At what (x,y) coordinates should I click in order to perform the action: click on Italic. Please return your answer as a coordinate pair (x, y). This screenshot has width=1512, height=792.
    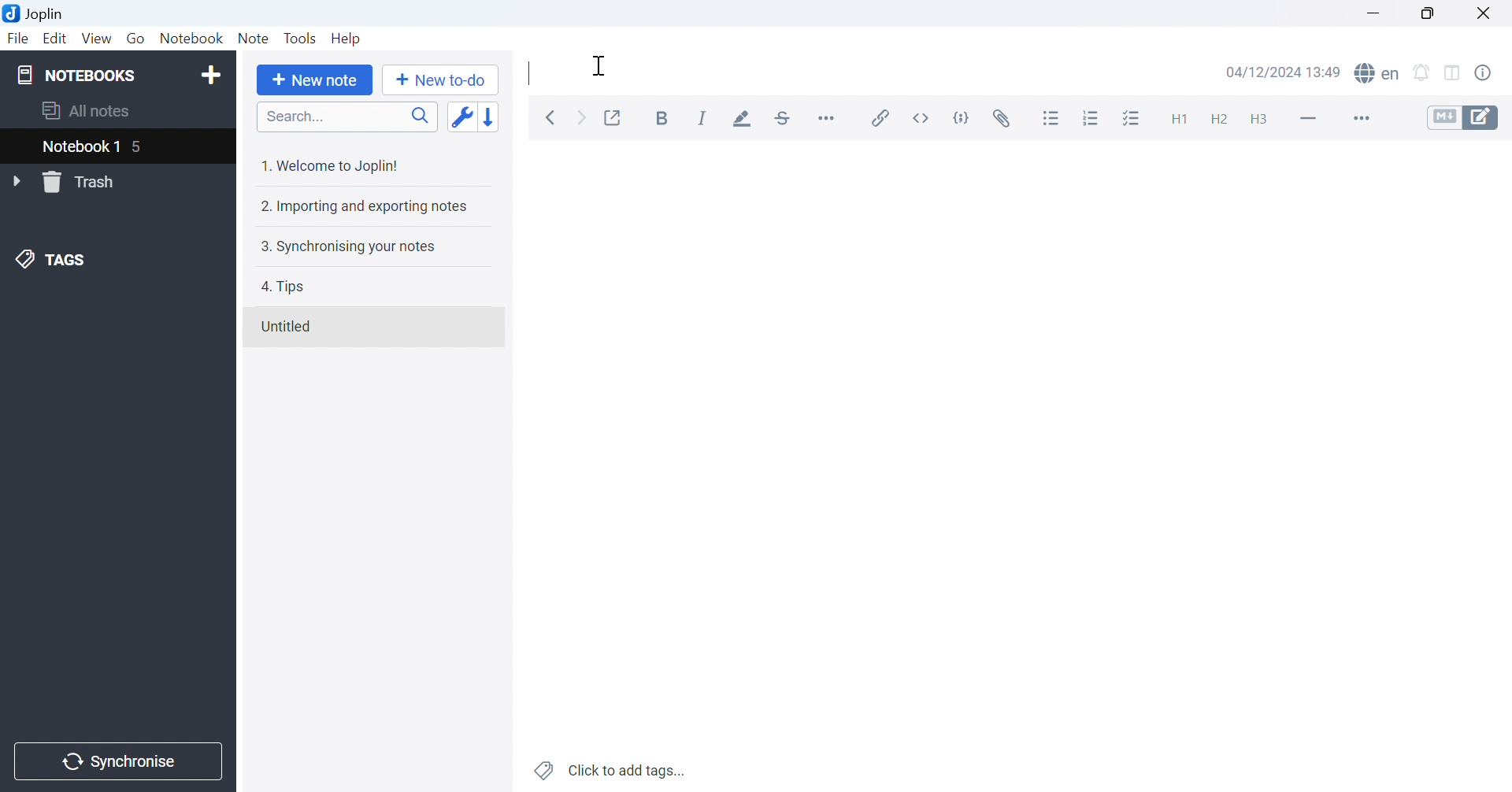
    Looking at the image, I should click on (702, 119).